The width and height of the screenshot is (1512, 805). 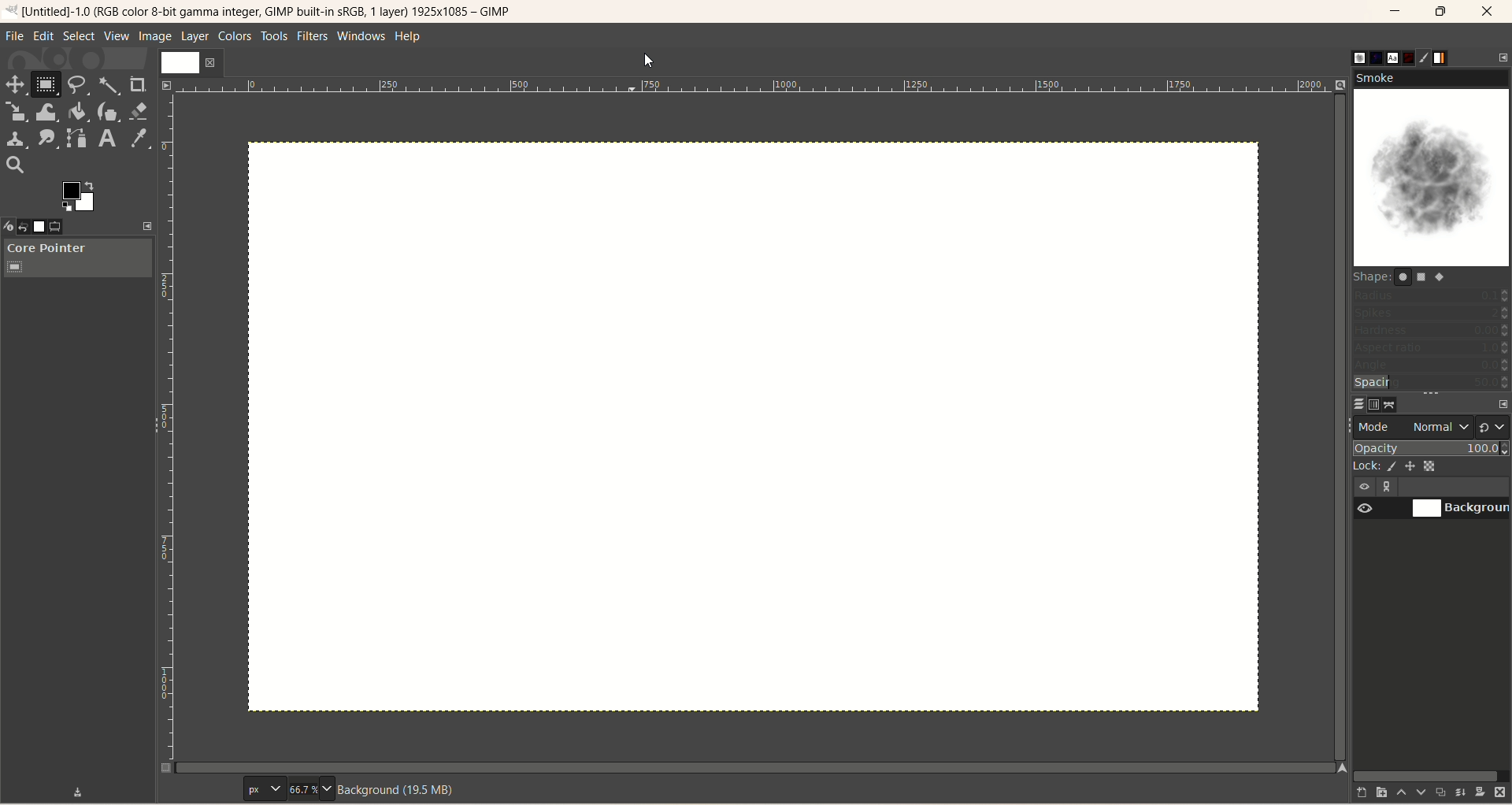 What do you see at coordinates (46, 112) in the screenshot?
I see `wrap transform` at bounding box center [46, 112].